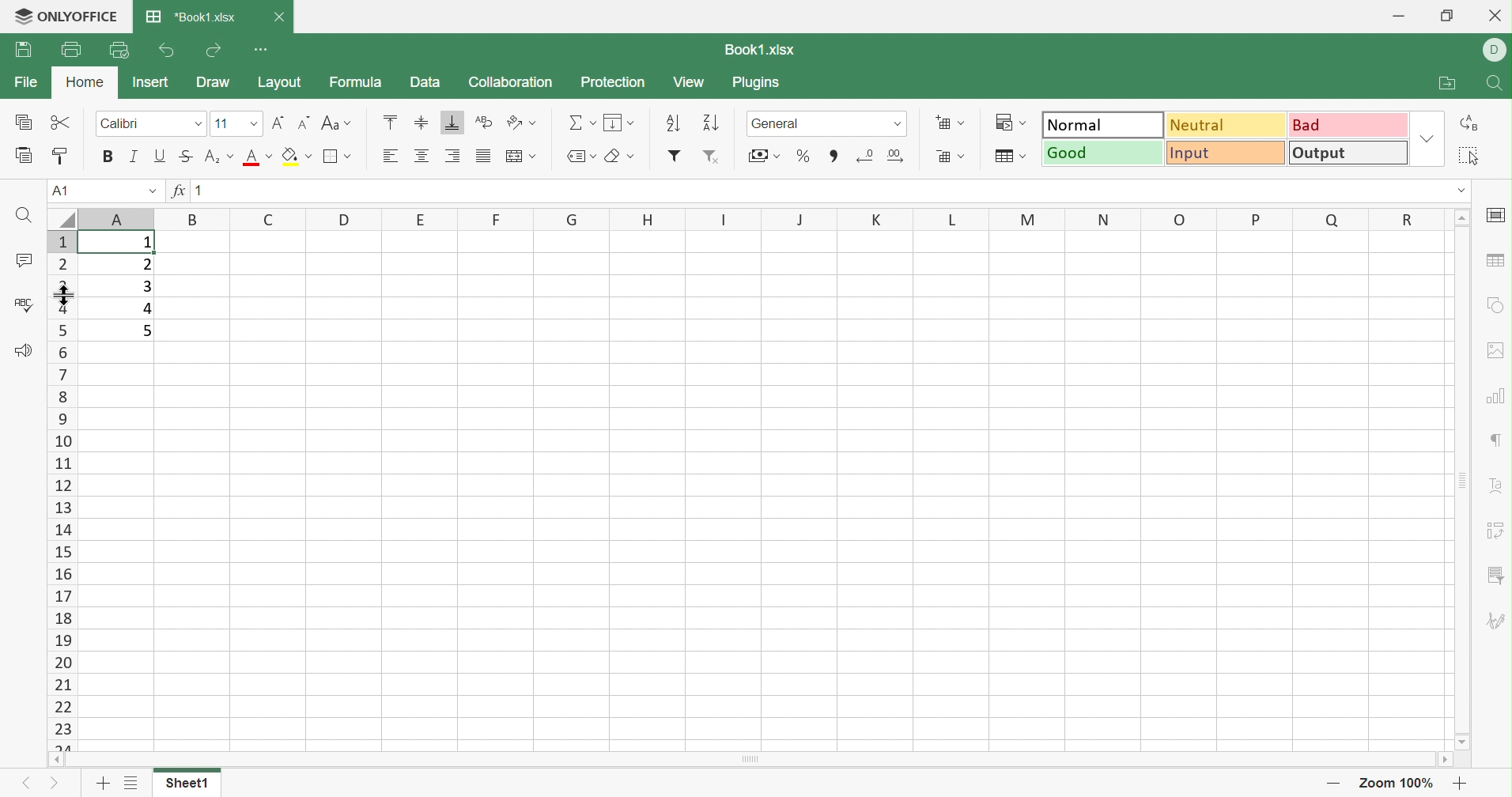  Describe the element at coordinates (939, 155) in the screenshot. I see `Insert cells` at that location.